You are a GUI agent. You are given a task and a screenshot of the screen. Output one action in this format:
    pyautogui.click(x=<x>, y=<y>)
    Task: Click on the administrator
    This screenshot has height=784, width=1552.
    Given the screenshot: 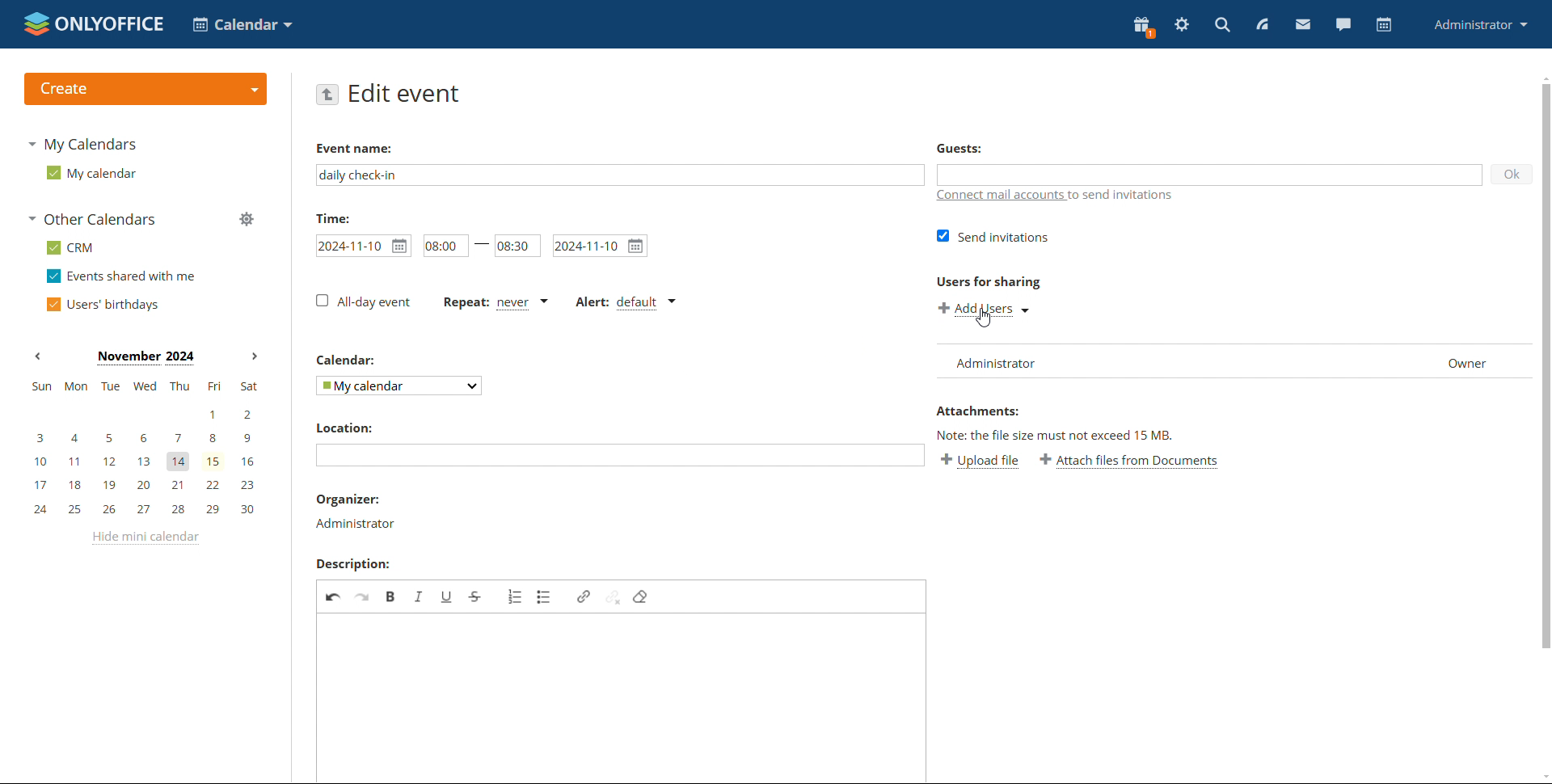 What is the action you would take?
    pyautogui.click(x=354, y=523)
    